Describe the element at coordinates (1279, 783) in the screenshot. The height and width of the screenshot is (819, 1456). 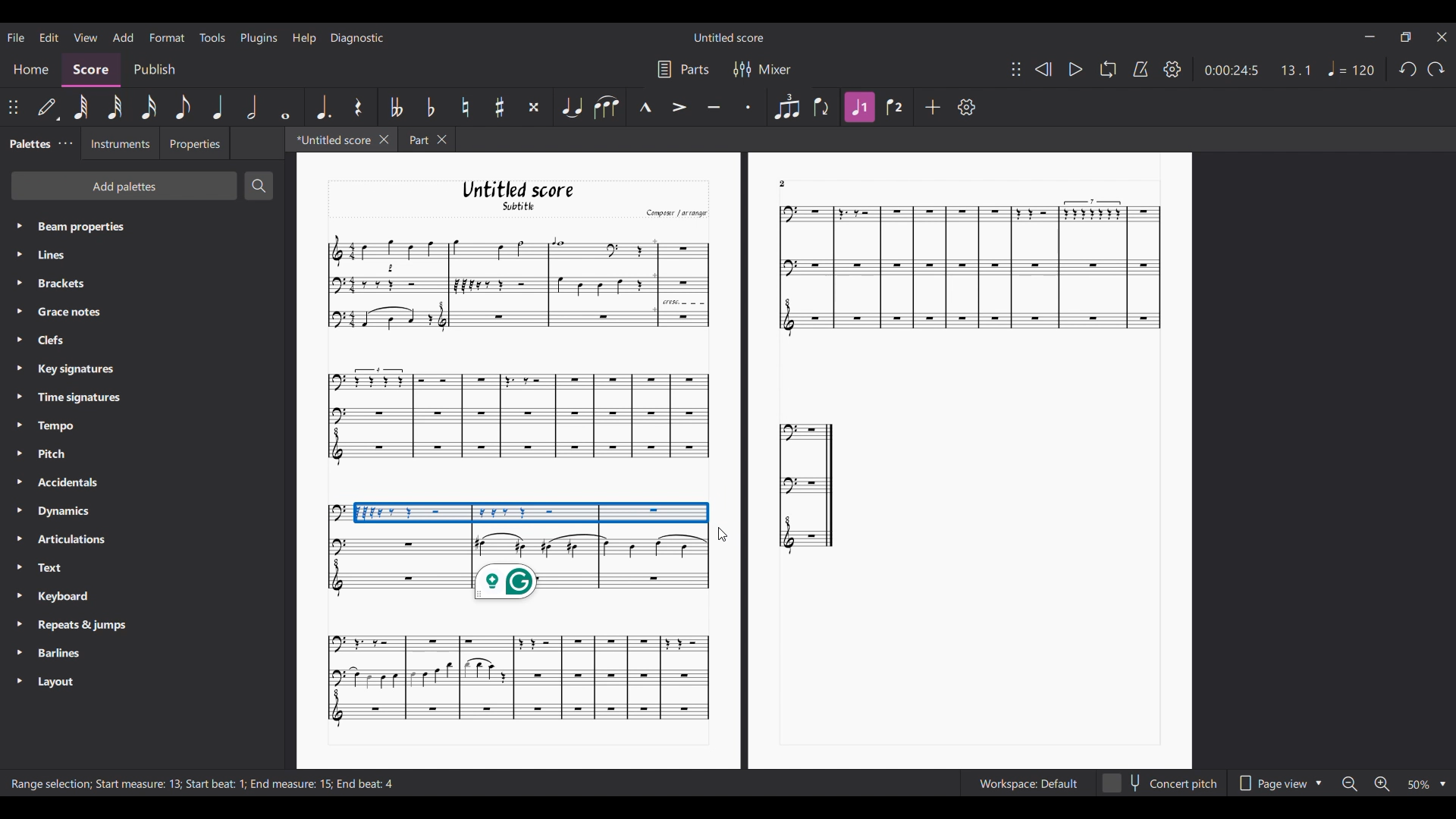
I see `Page view ` at that location.